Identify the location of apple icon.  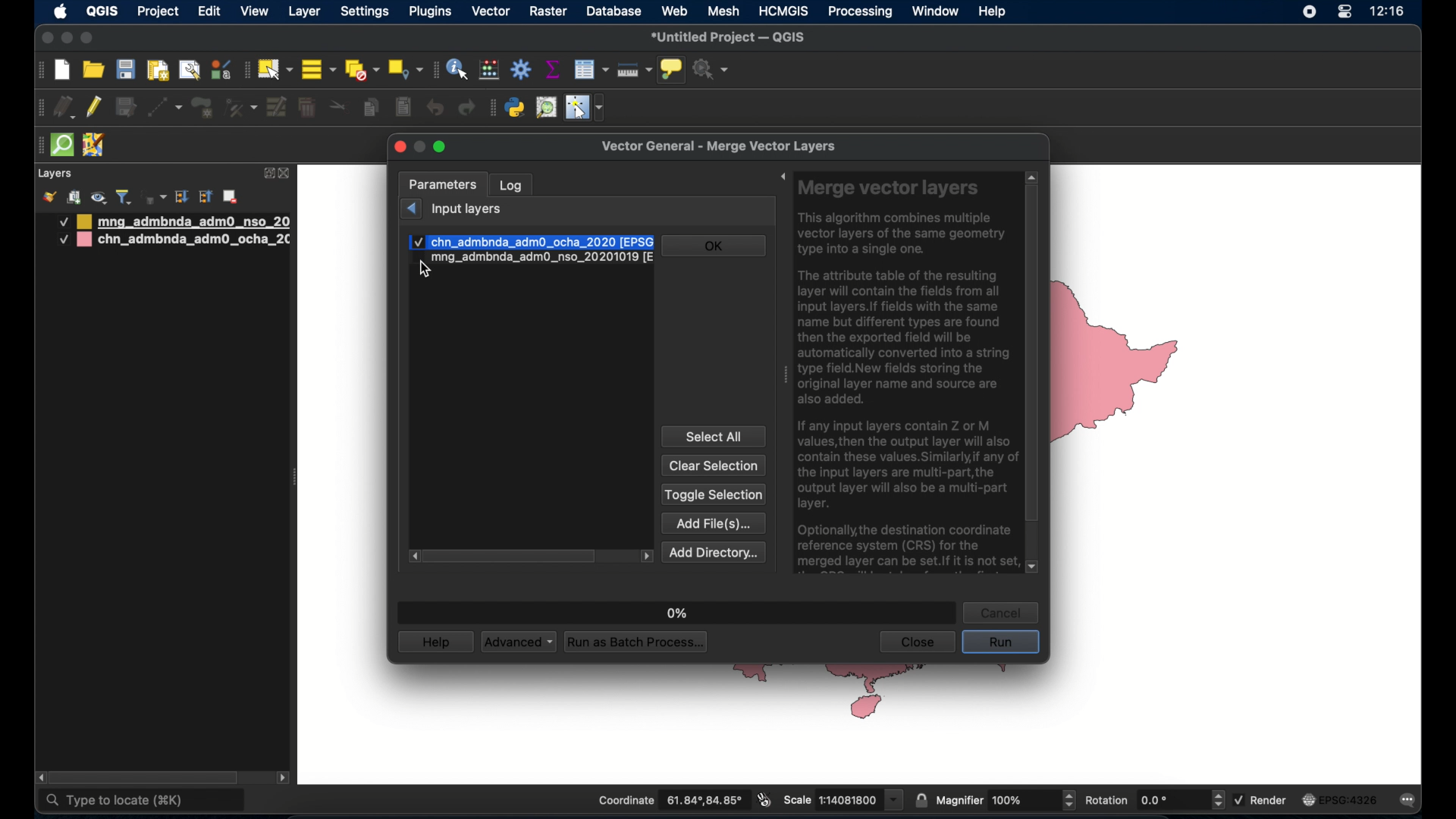
(61, 11).